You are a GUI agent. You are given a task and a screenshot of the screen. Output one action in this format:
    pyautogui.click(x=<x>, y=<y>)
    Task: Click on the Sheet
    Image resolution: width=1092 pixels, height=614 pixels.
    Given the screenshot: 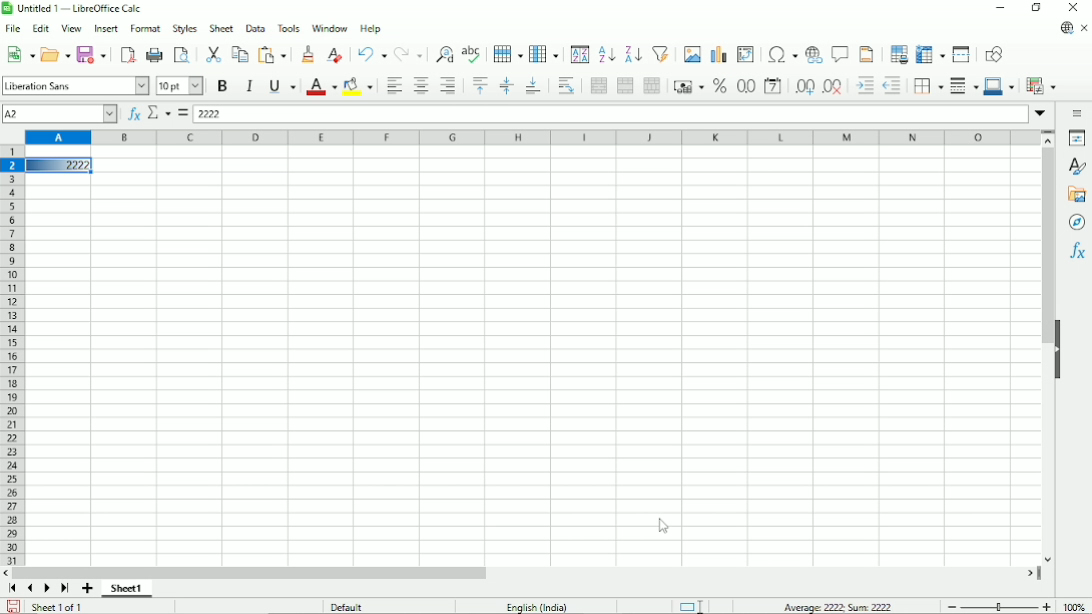 What is the action you would take?
    pyautogui.click(x=221, y=28)
    